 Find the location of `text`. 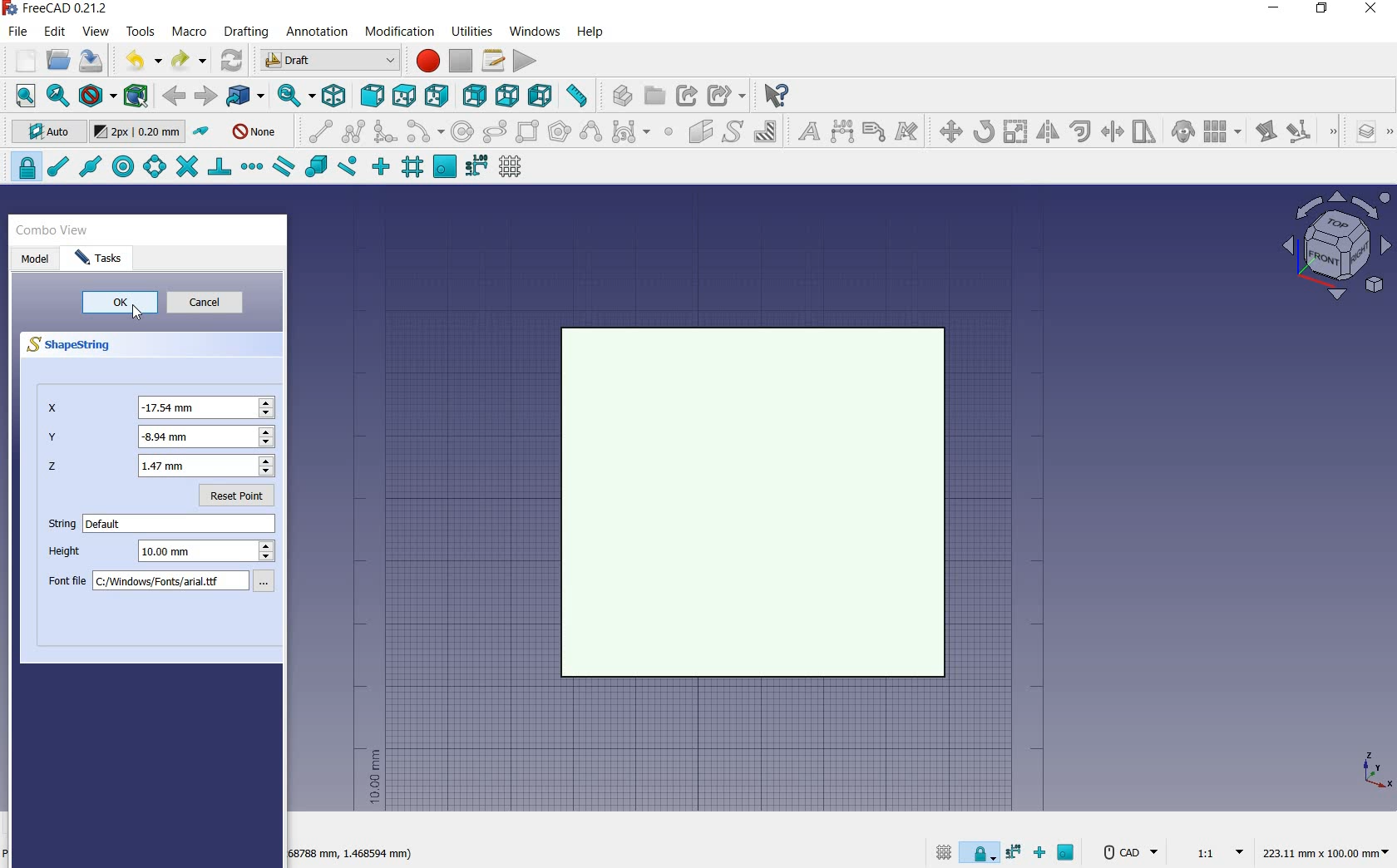

text is located at coordinates (805, 132).